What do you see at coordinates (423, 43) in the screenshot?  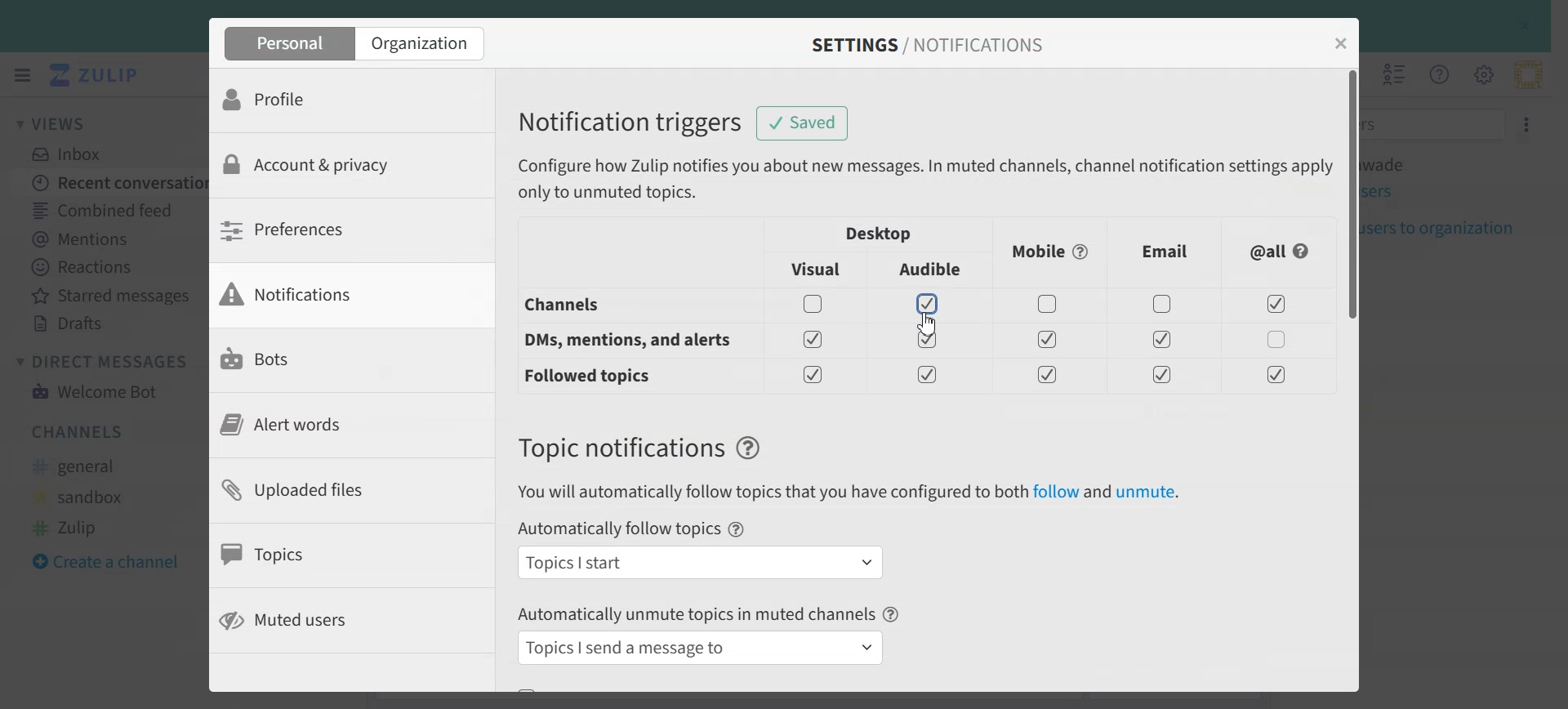 I see `Organization` at bounding box center [423, 43].